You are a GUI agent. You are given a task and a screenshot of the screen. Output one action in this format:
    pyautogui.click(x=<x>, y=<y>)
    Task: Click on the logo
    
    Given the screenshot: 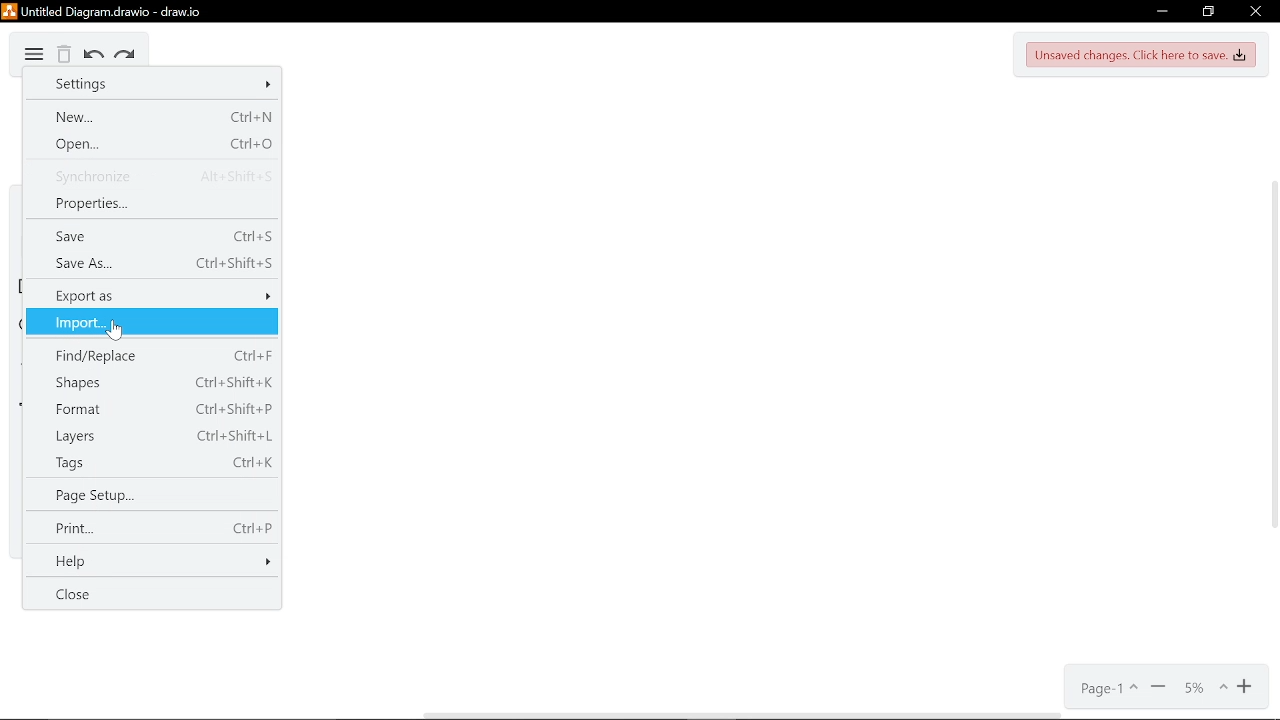 What is the action you would take?
    pyautogui.click(x=11, y=12)
    